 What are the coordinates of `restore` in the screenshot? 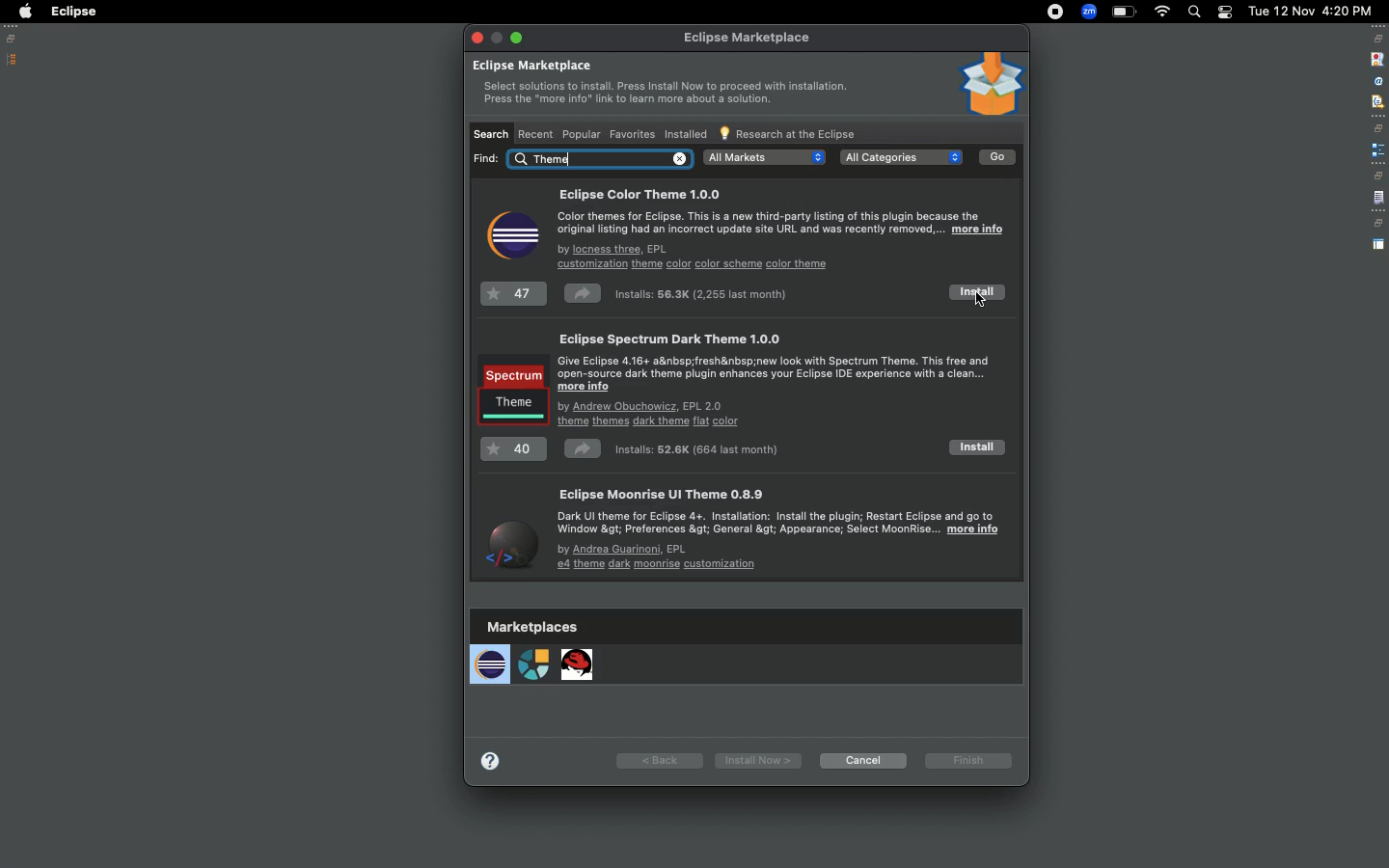 It's located at (1377, 224).